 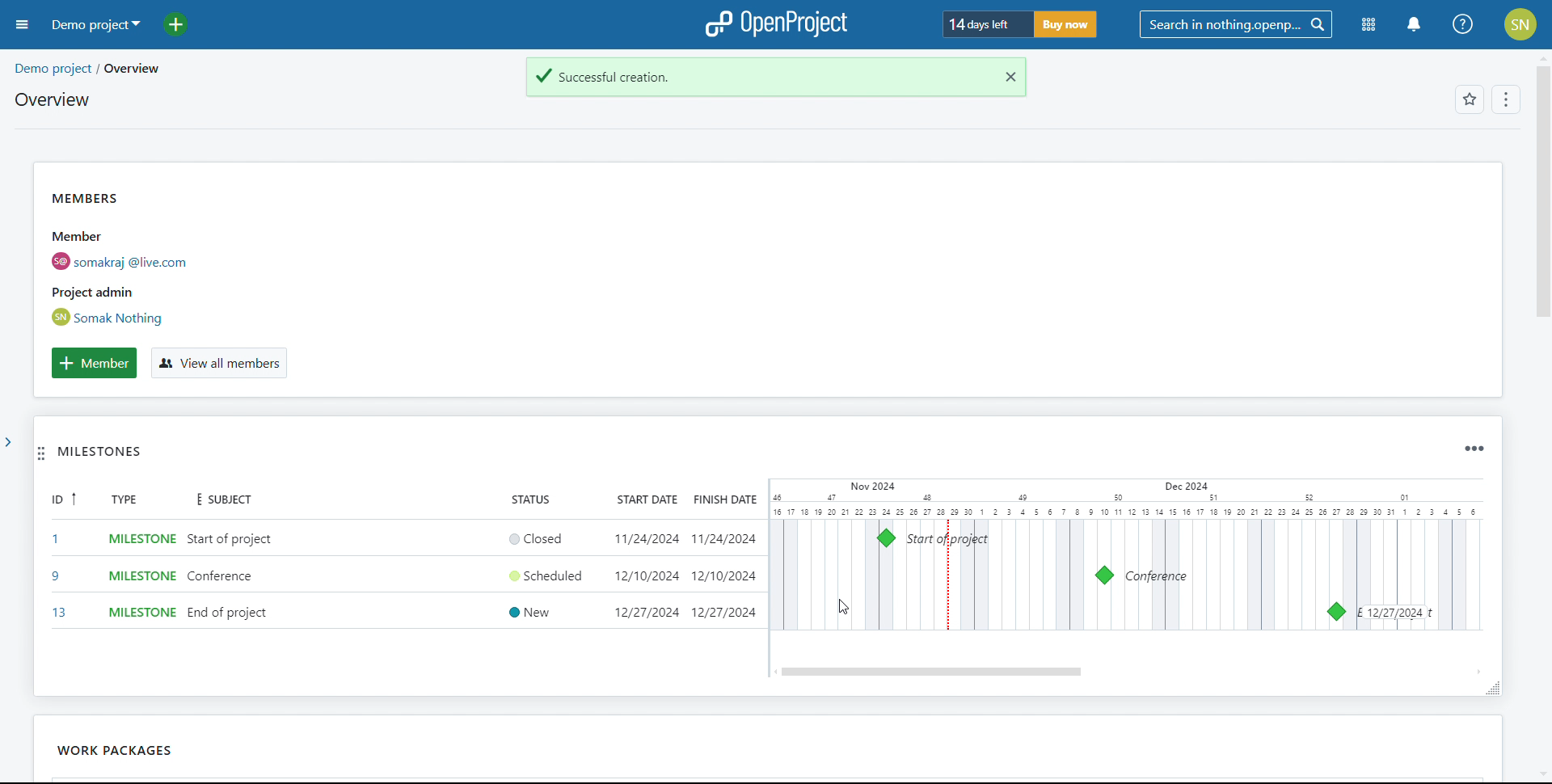 What do you see at coordinates (41, 455) in the screenshot?
I see `move widget` at bounding box center [41, 455].